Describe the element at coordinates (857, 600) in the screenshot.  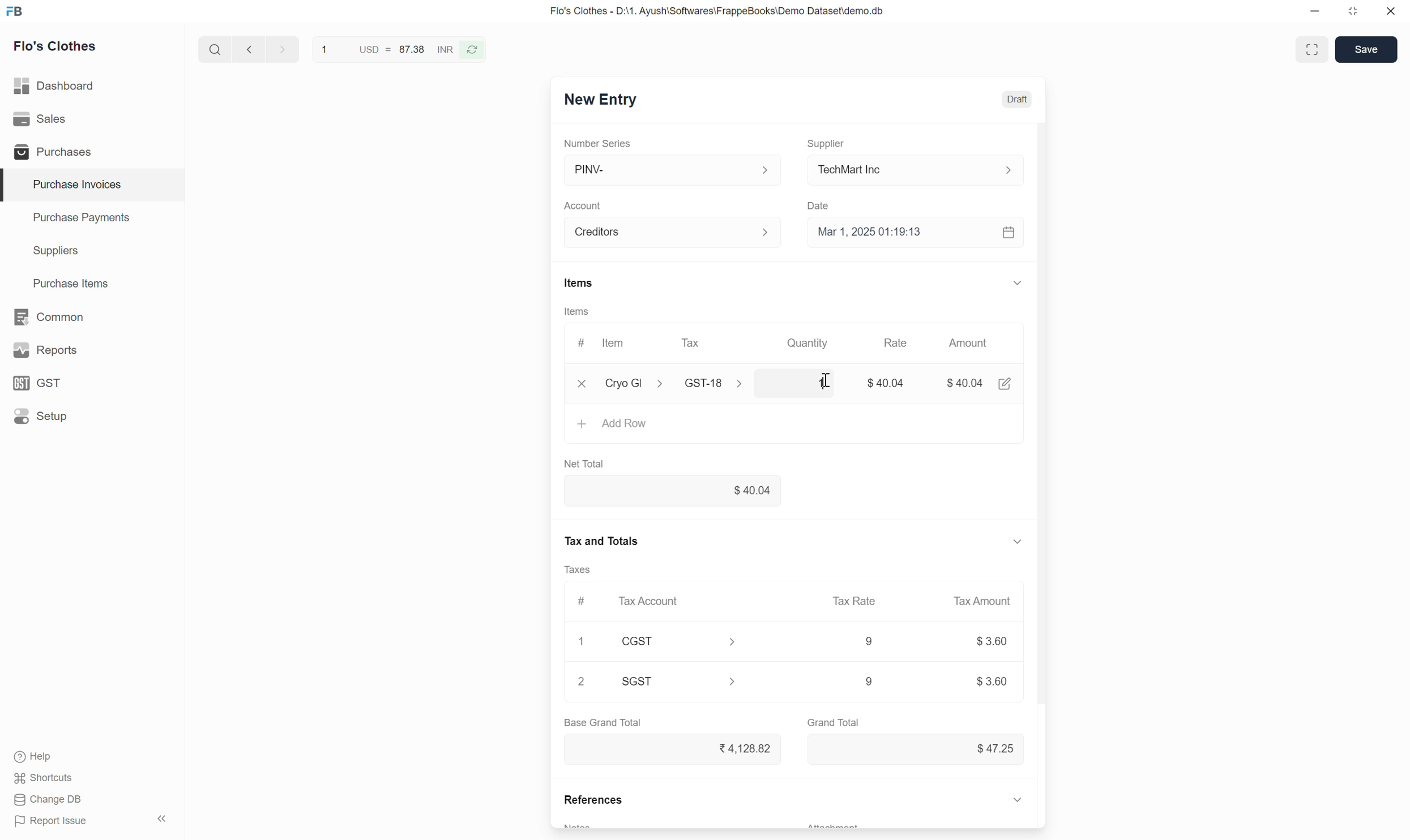
I see `Tax Rate` at that location.